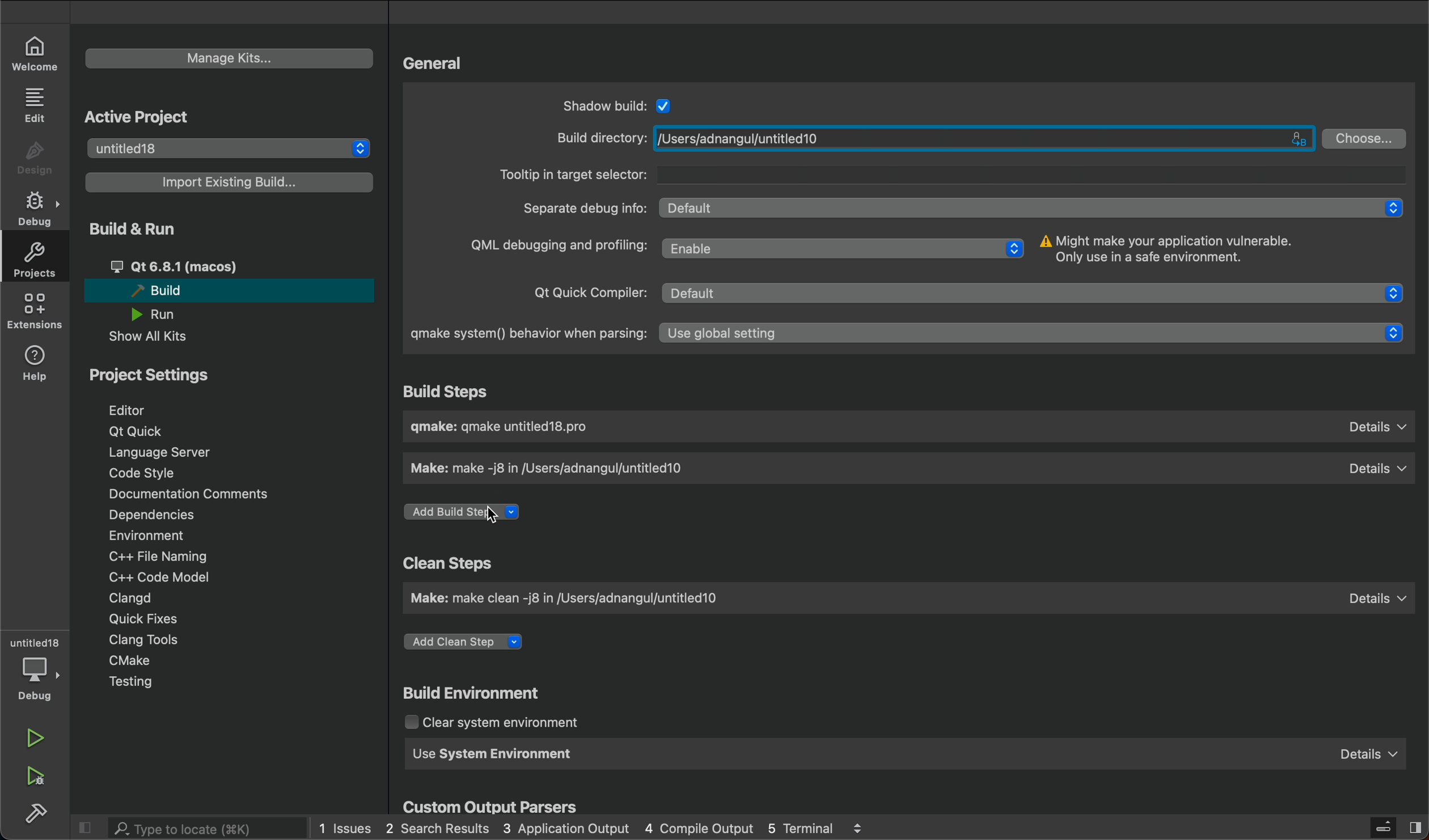 Image resolution: width=1429 pixels, height=840 pixels. Describe the element at coordinates (505, 426) in the screenshot. I see `gmake: gmake untitled18.pro` at that location.